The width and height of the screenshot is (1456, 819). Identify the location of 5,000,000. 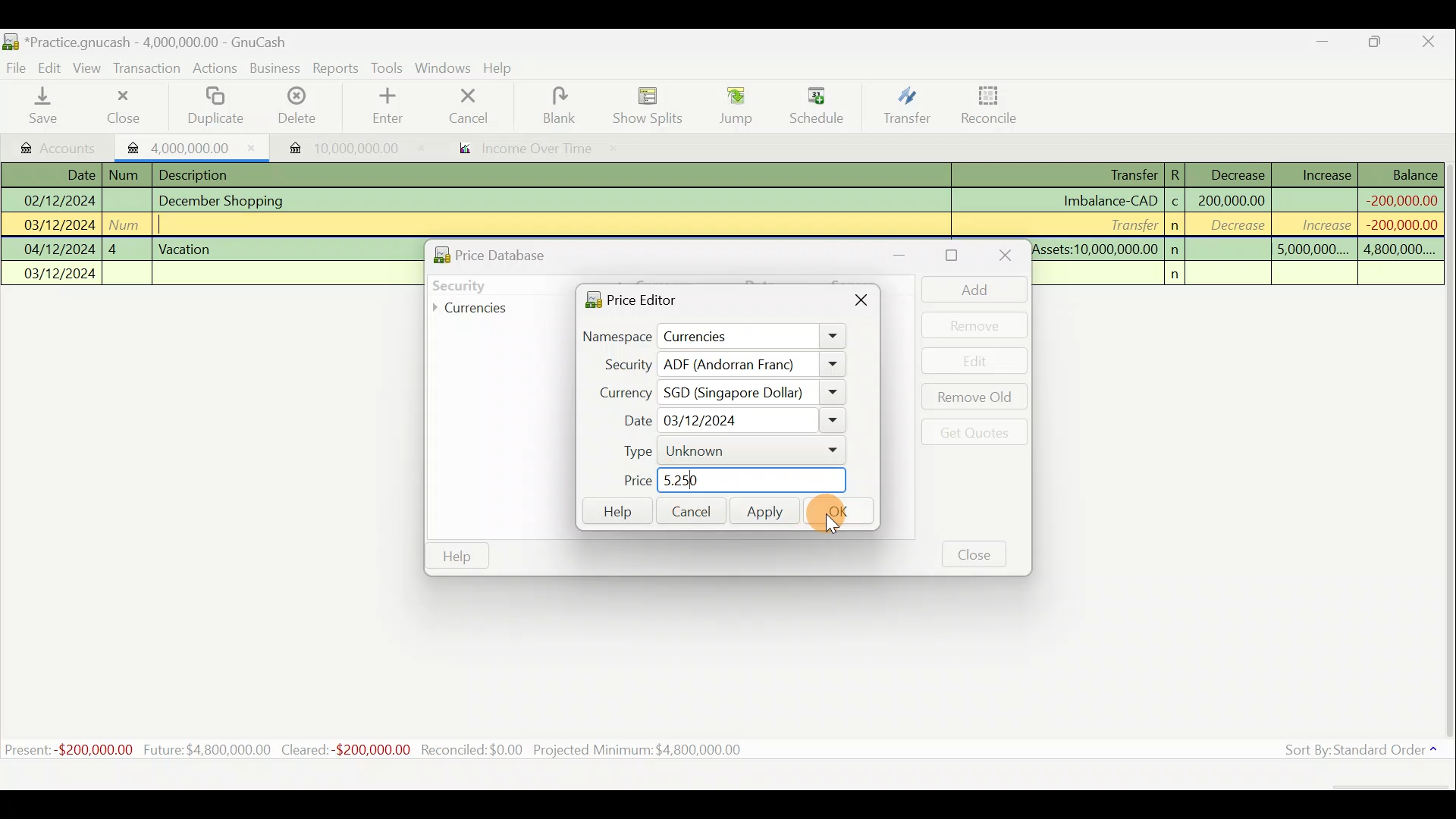
(1313, 252).